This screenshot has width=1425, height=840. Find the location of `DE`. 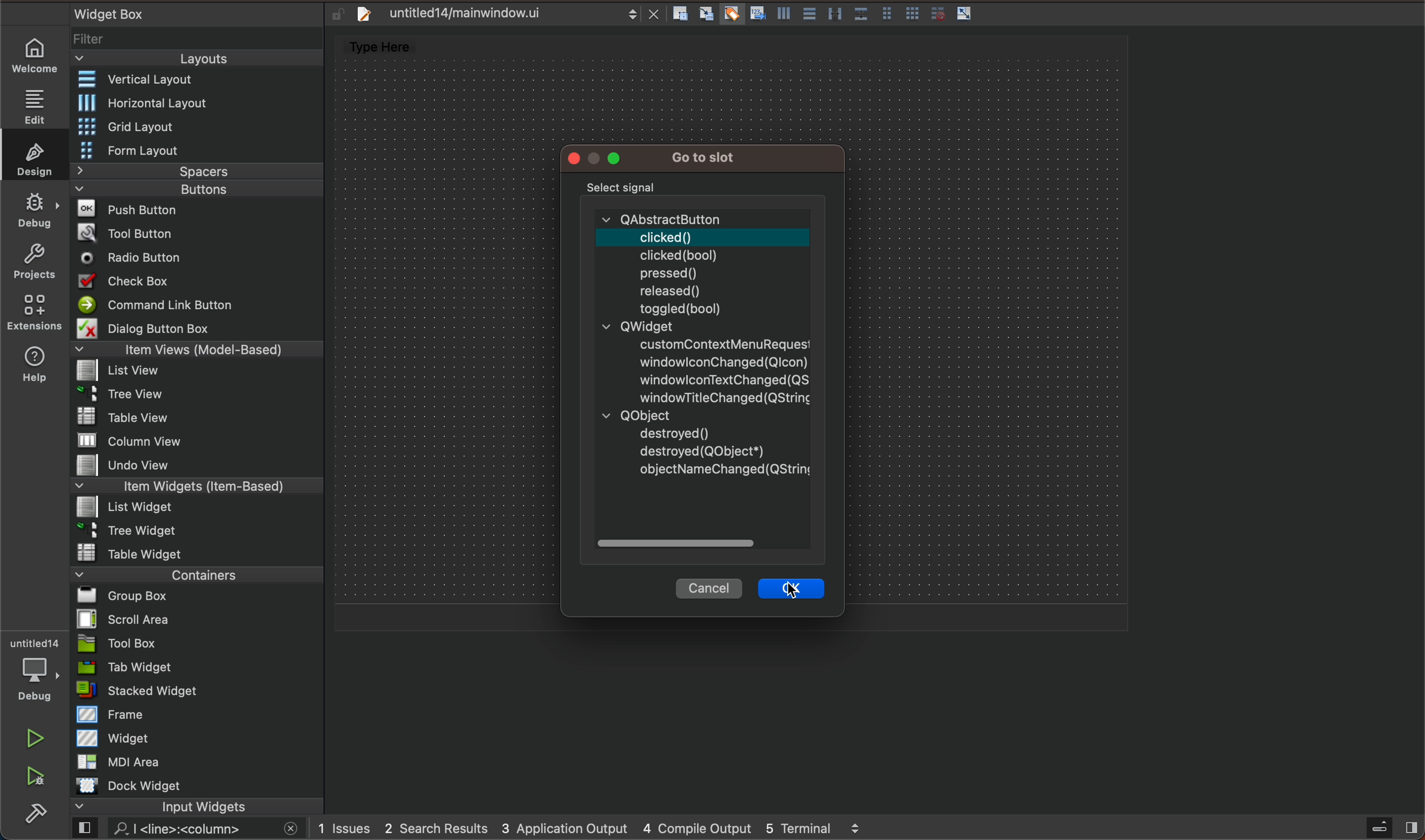

DE is located at coordinates (32, 212).